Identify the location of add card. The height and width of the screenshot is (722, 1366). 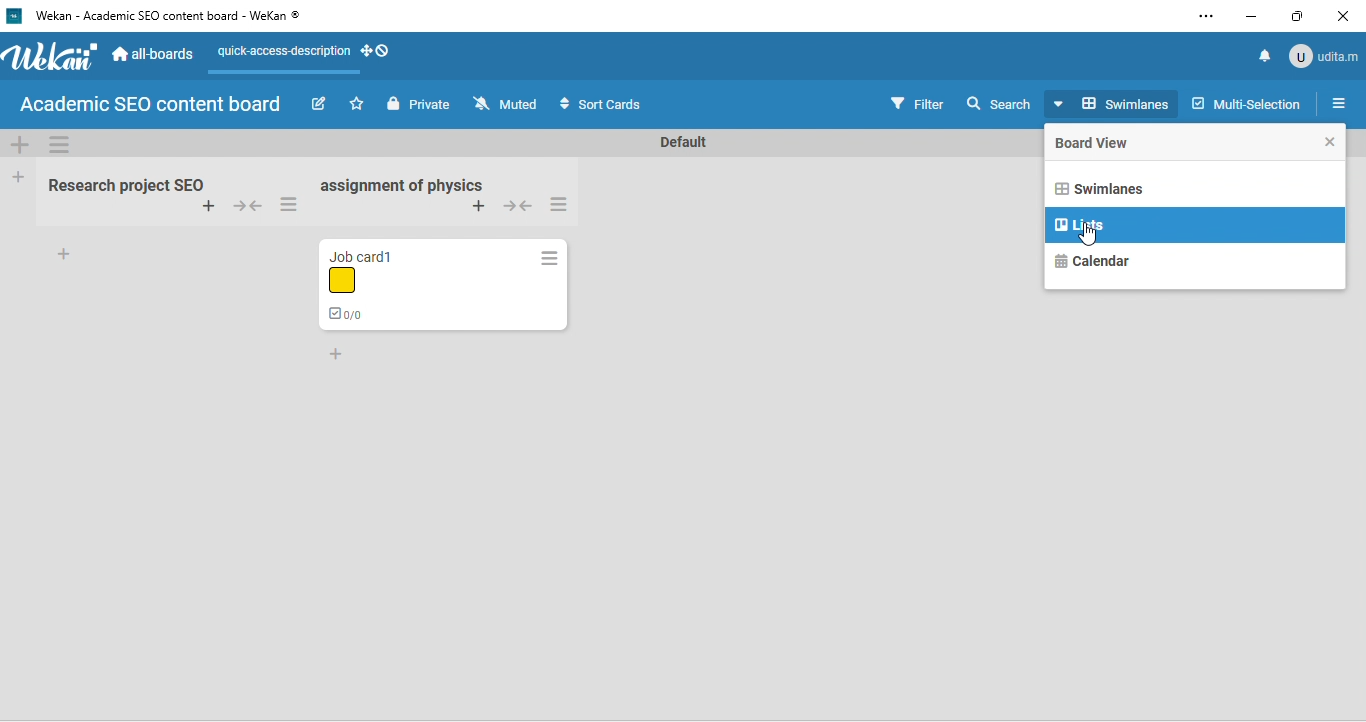
(205, 208).